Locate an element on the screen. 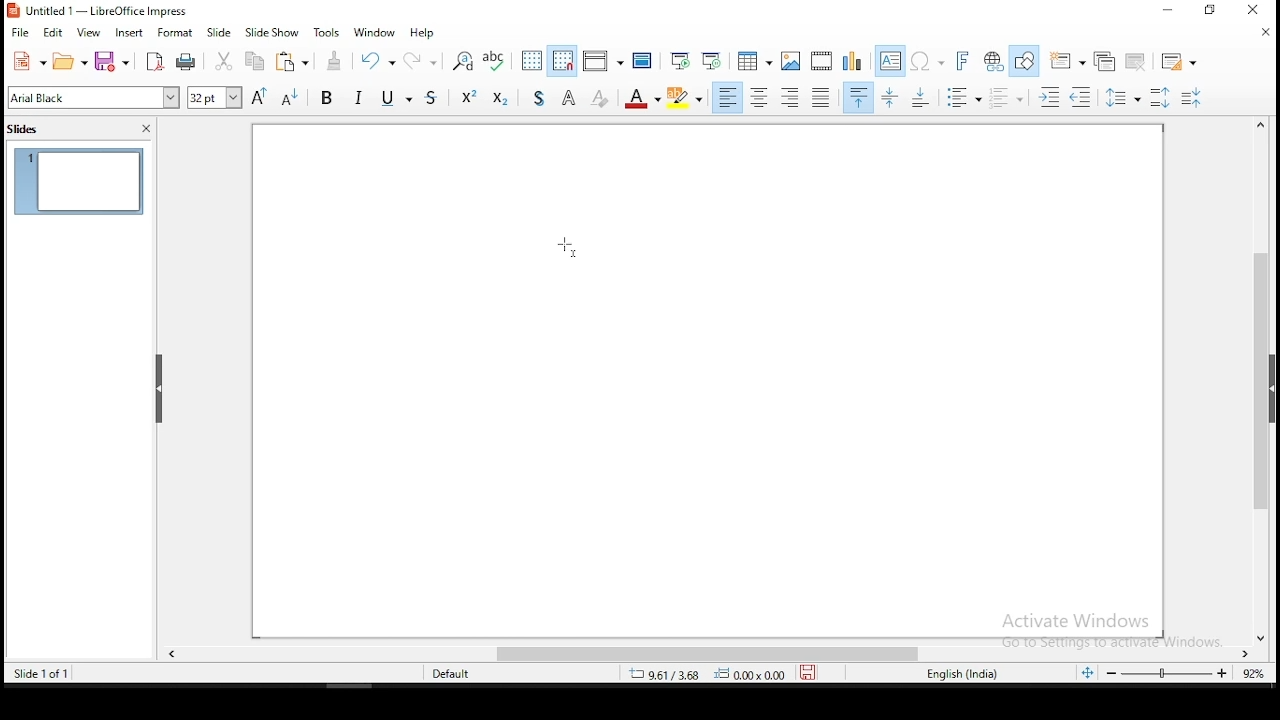 Image resolution: width=1280 pixels, height=720 pixels. Increase Line Spacing is located at coordinates (1163, 97).